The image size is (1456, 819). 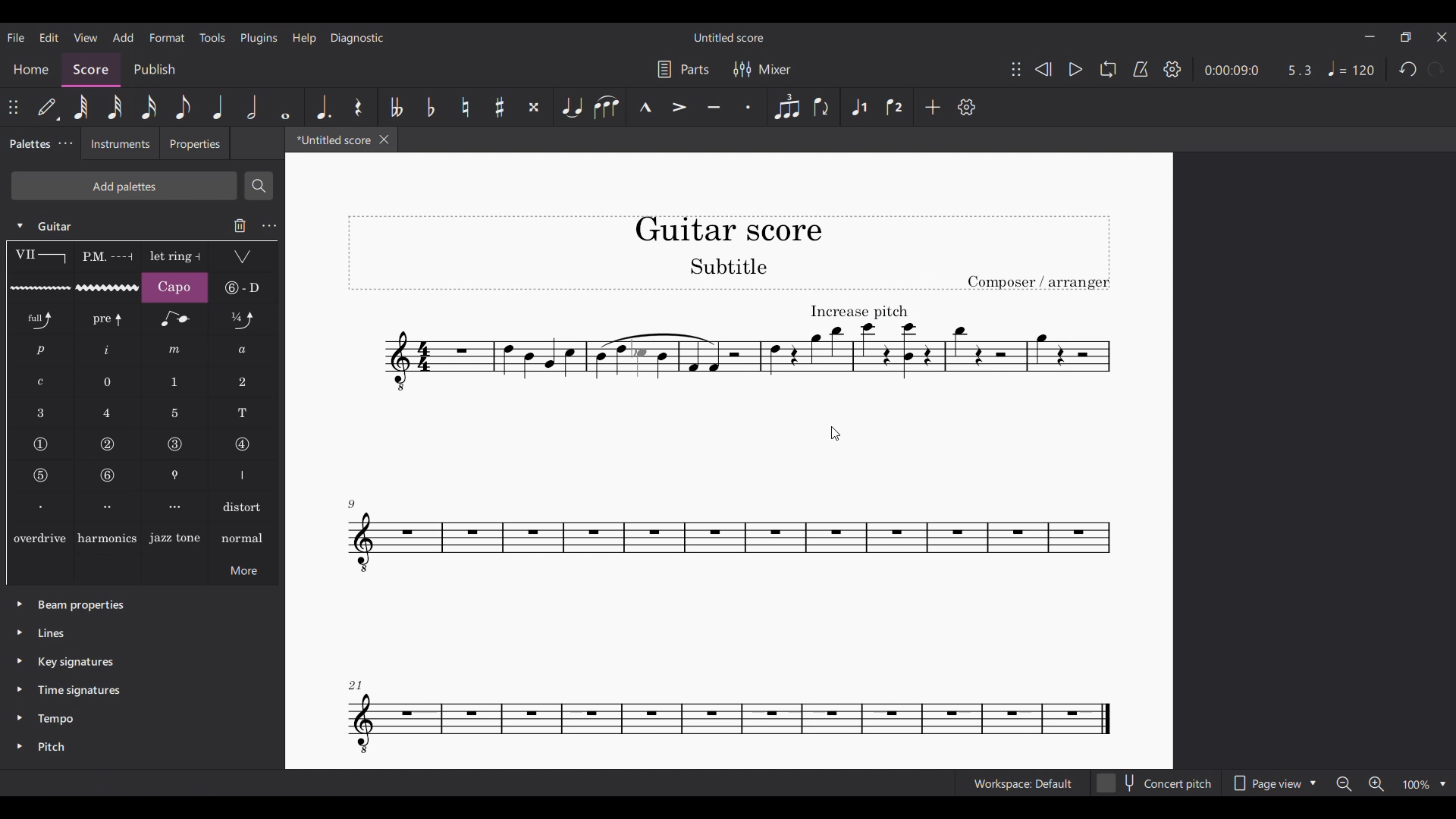 What do you see at coordinates (123, 37) in the screenshot?
I see `Add menu` at bounding box center [123, 37].